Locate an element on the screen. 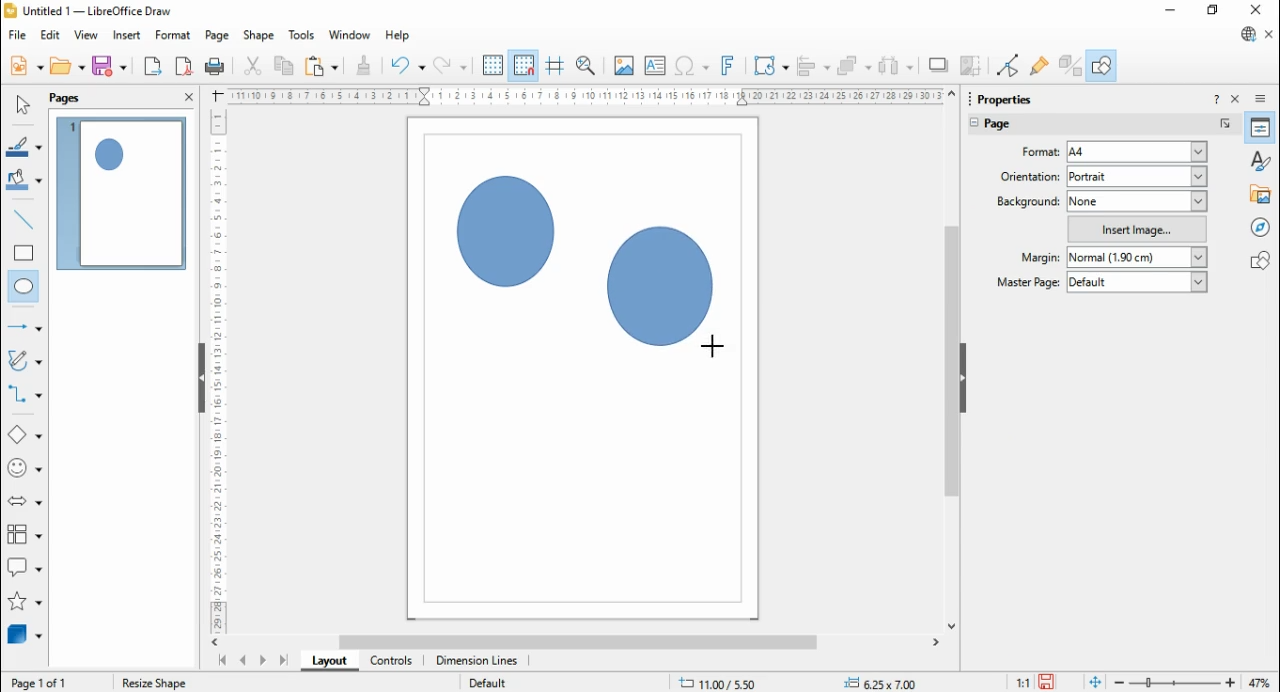  toggle extrusions is located at coordinates (1070, 65).